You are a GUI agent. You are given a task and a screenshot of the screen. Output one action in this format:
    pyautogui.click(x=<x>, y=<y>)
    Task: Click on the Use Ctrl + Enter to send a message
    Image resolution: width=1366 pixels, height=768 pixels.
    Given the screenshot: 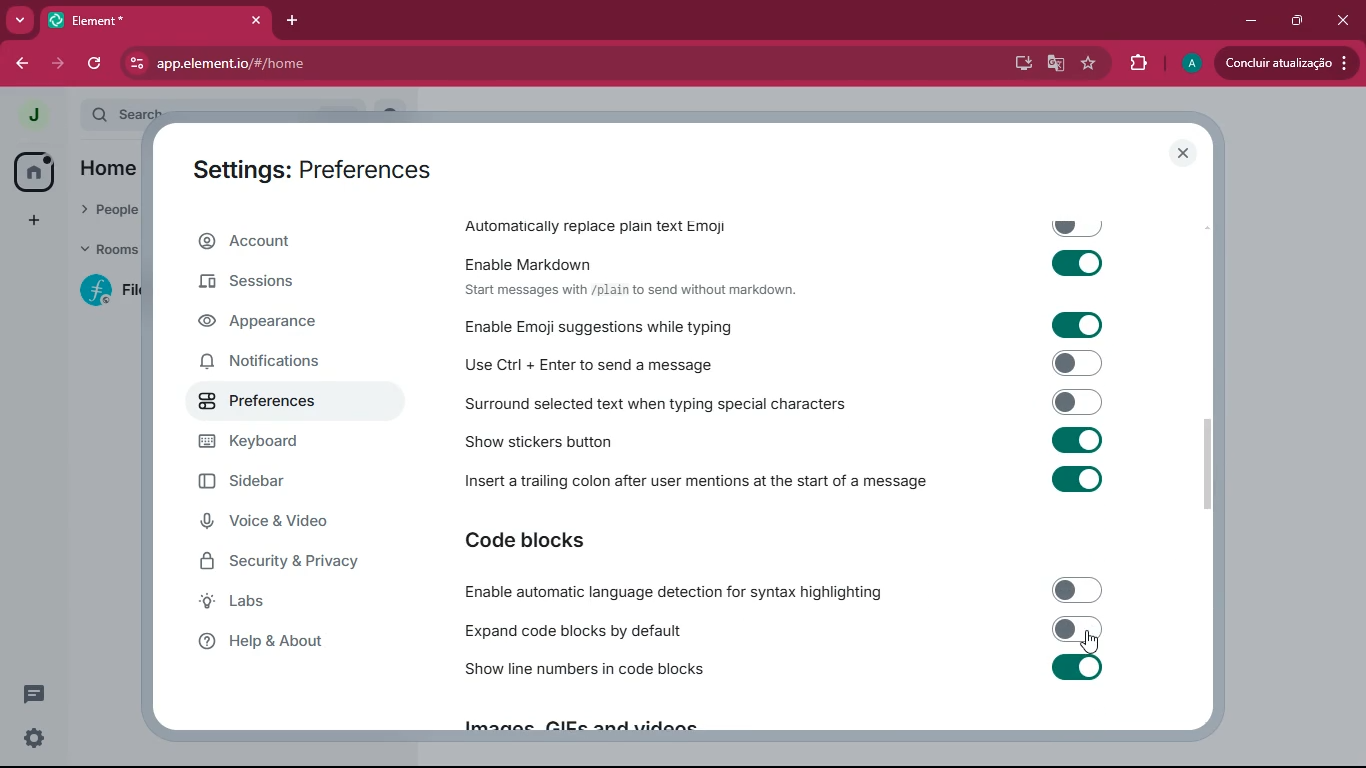 What is the action you would take?
    pyautogui.click(x=788, y=362)
    